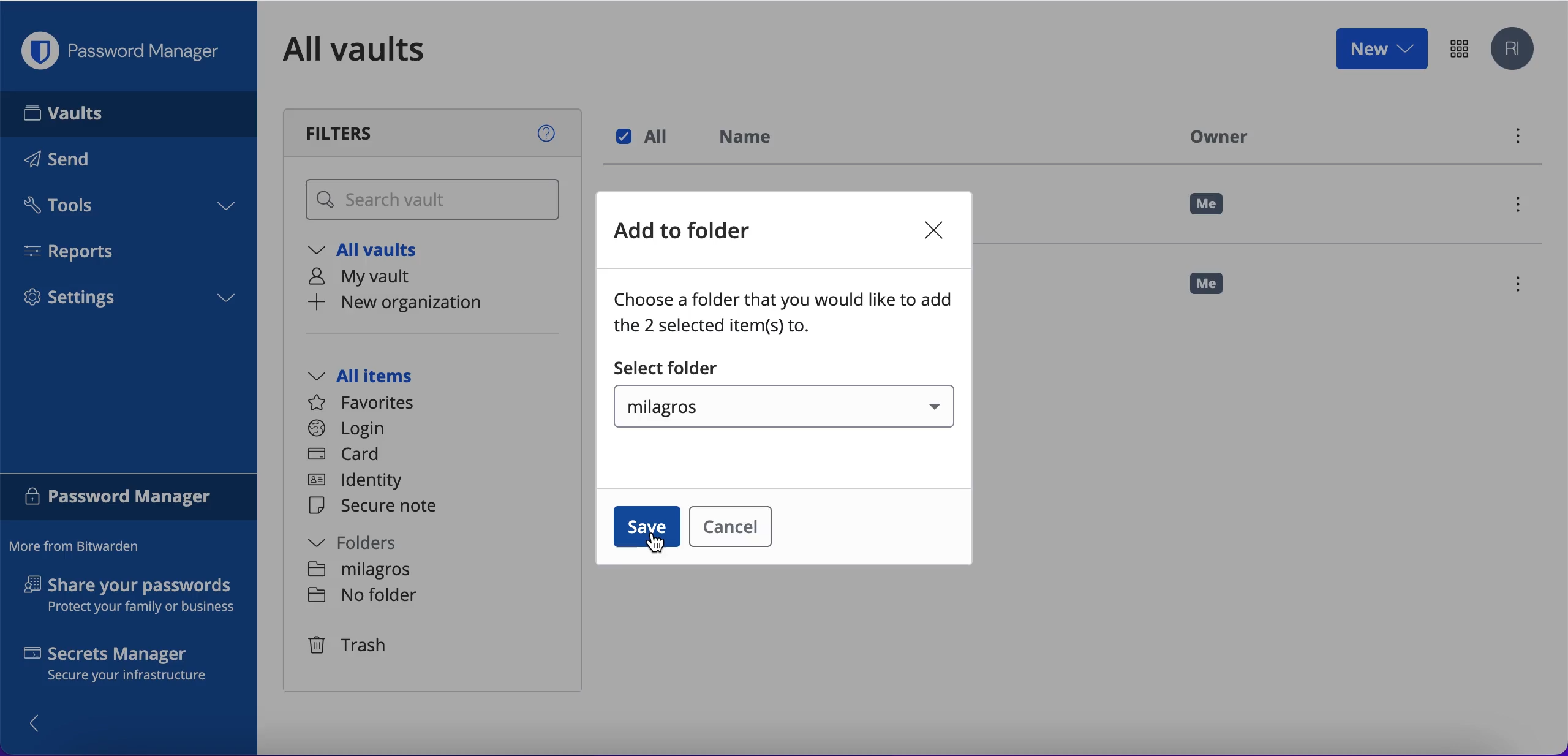 The image size is (1568, 756). What do you see at coordinates (1515, 50) in the screenshot?
I see `account` at bounding box center [1515, 50].